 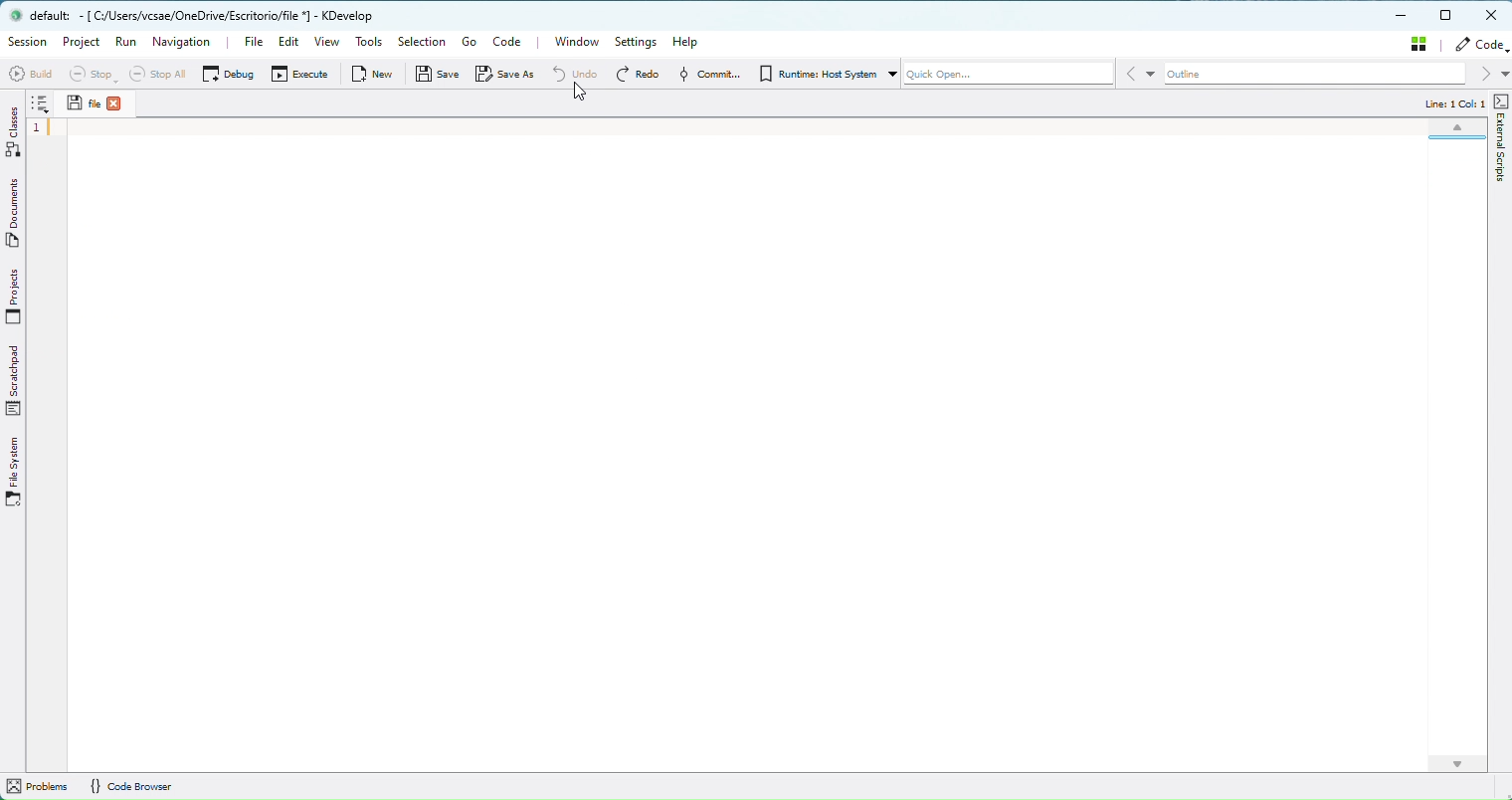 I want to click on Execute, so click(x=297, y=74).